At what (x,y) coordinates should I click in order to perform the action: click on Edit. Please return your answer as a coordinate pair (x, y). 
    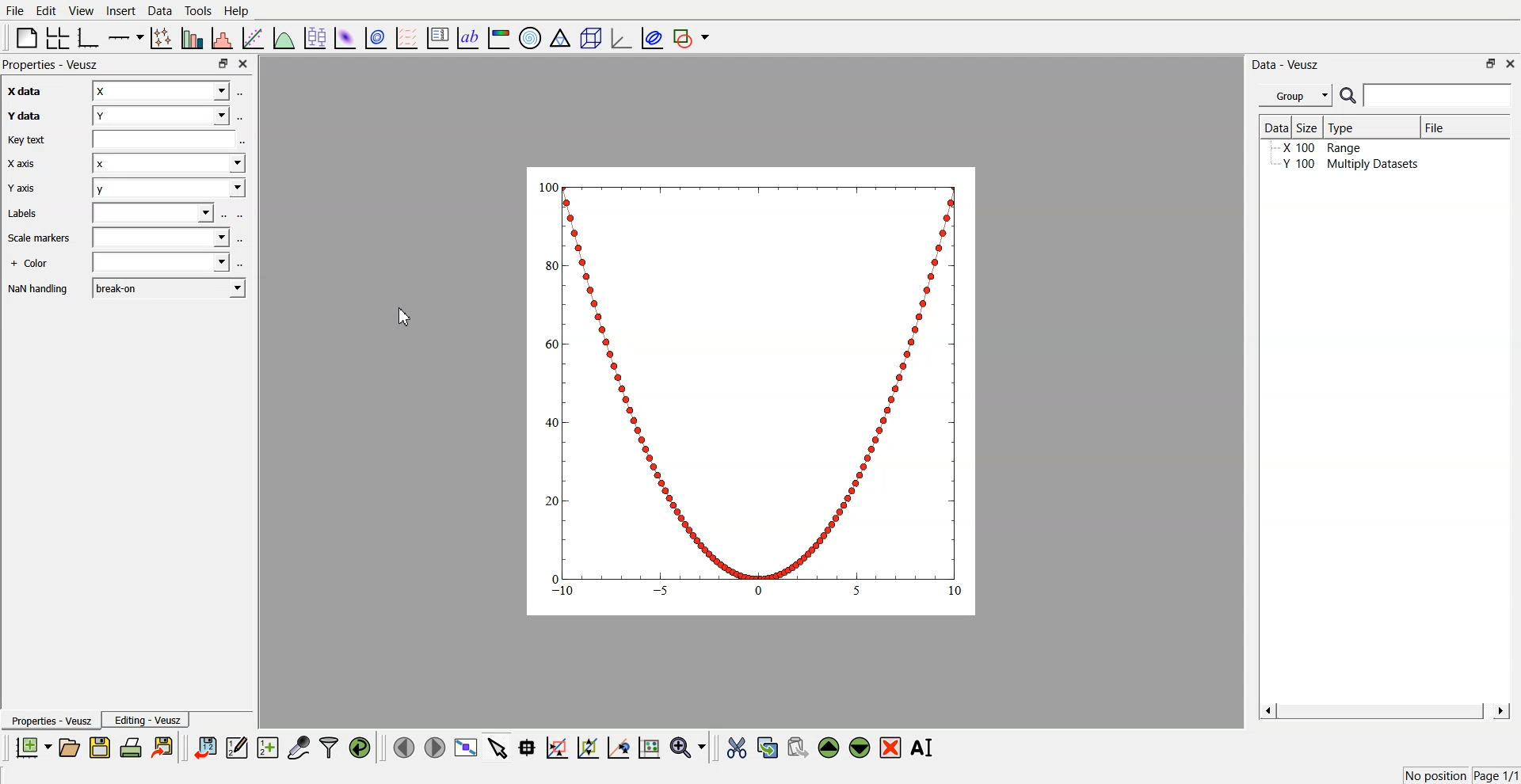
    Looking at the image, I should click on (47, 10).